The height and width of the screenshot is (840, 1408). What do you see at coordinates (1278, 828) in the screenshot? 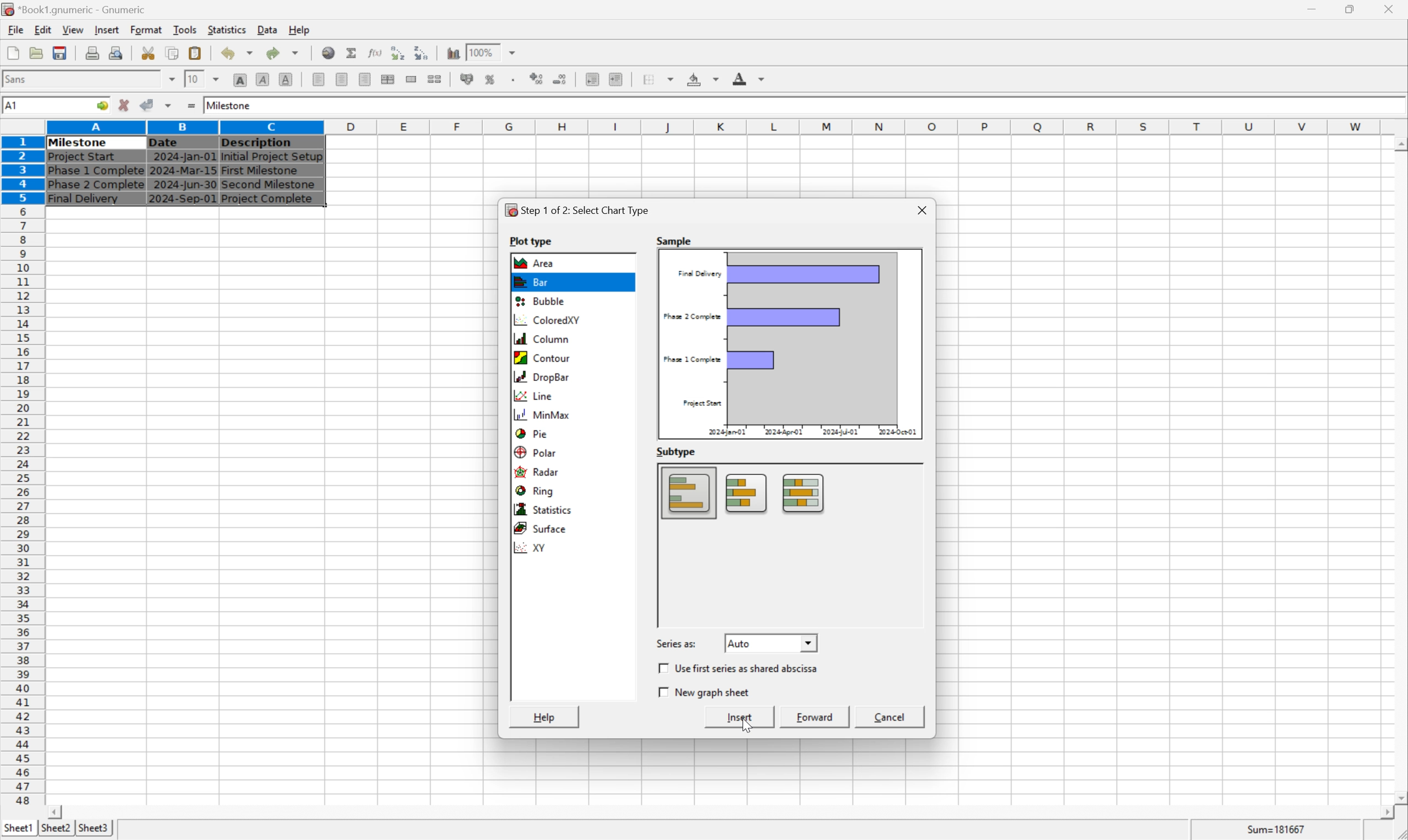
I see `Sum=181667` at bounding box center [1278, 828].